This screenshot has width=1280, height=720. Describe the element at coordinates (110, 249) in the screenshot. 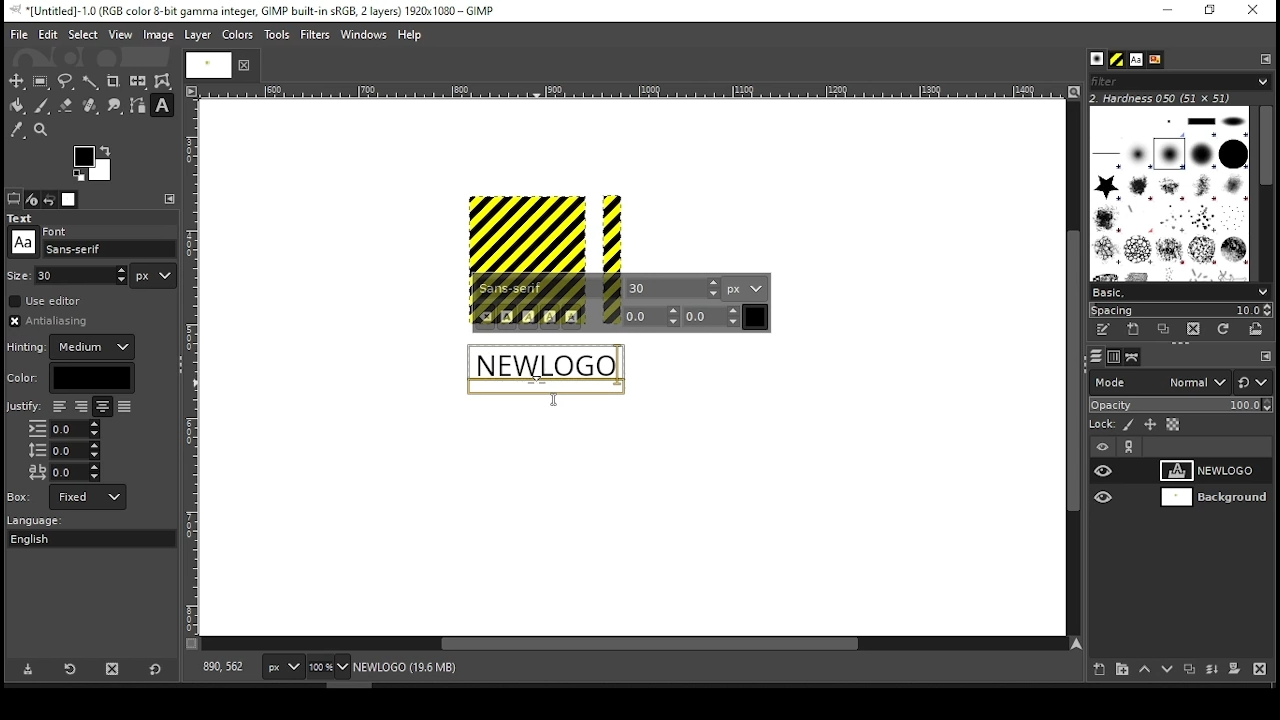

I see `font` at that location.